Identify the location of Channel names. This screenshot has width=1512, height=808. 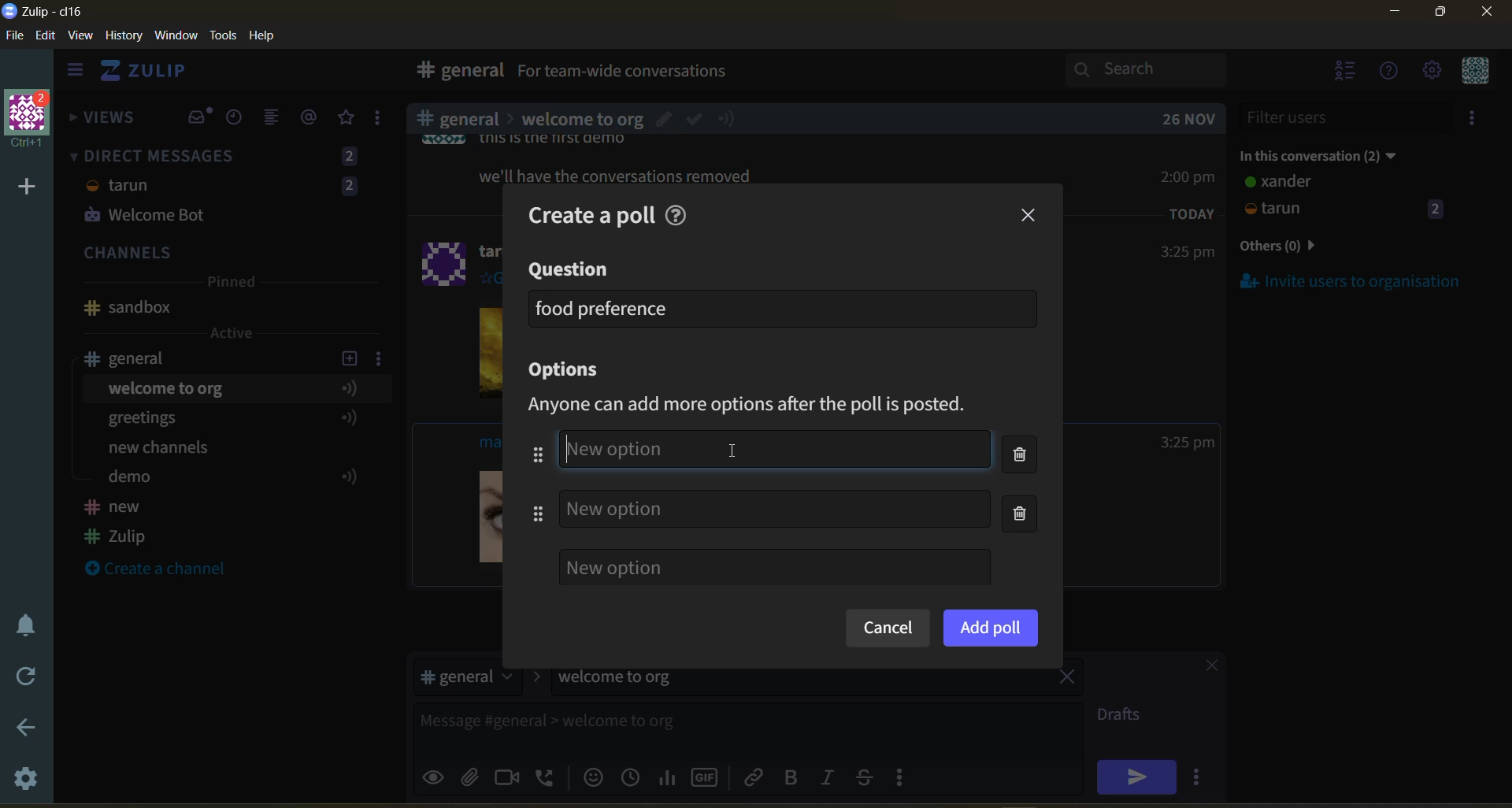
(118, 524).